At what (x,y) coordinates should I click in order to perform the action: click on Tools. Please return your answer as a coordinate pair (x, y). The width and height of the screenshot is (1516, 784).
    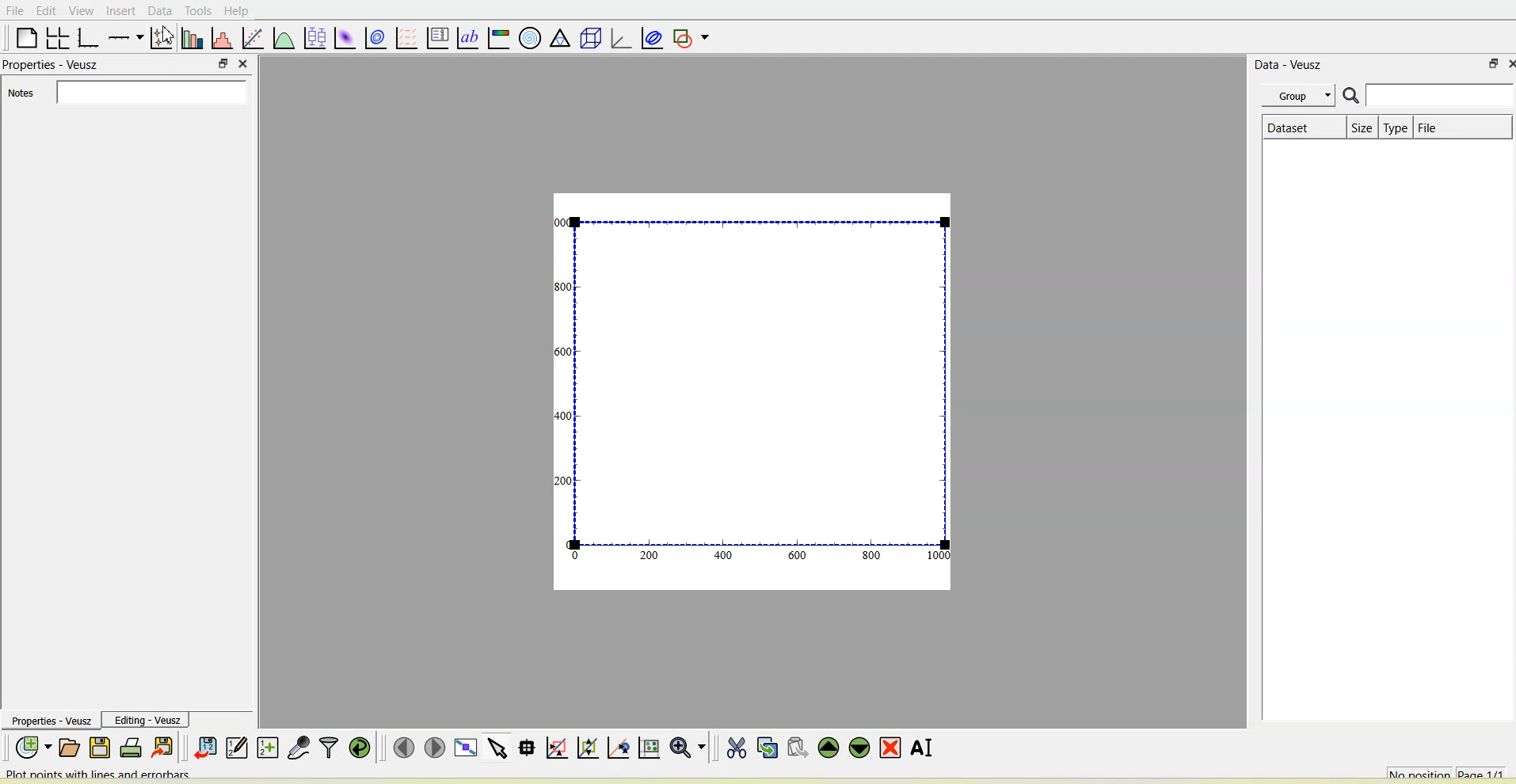
    Looking at the image, I should click on (196, 11).